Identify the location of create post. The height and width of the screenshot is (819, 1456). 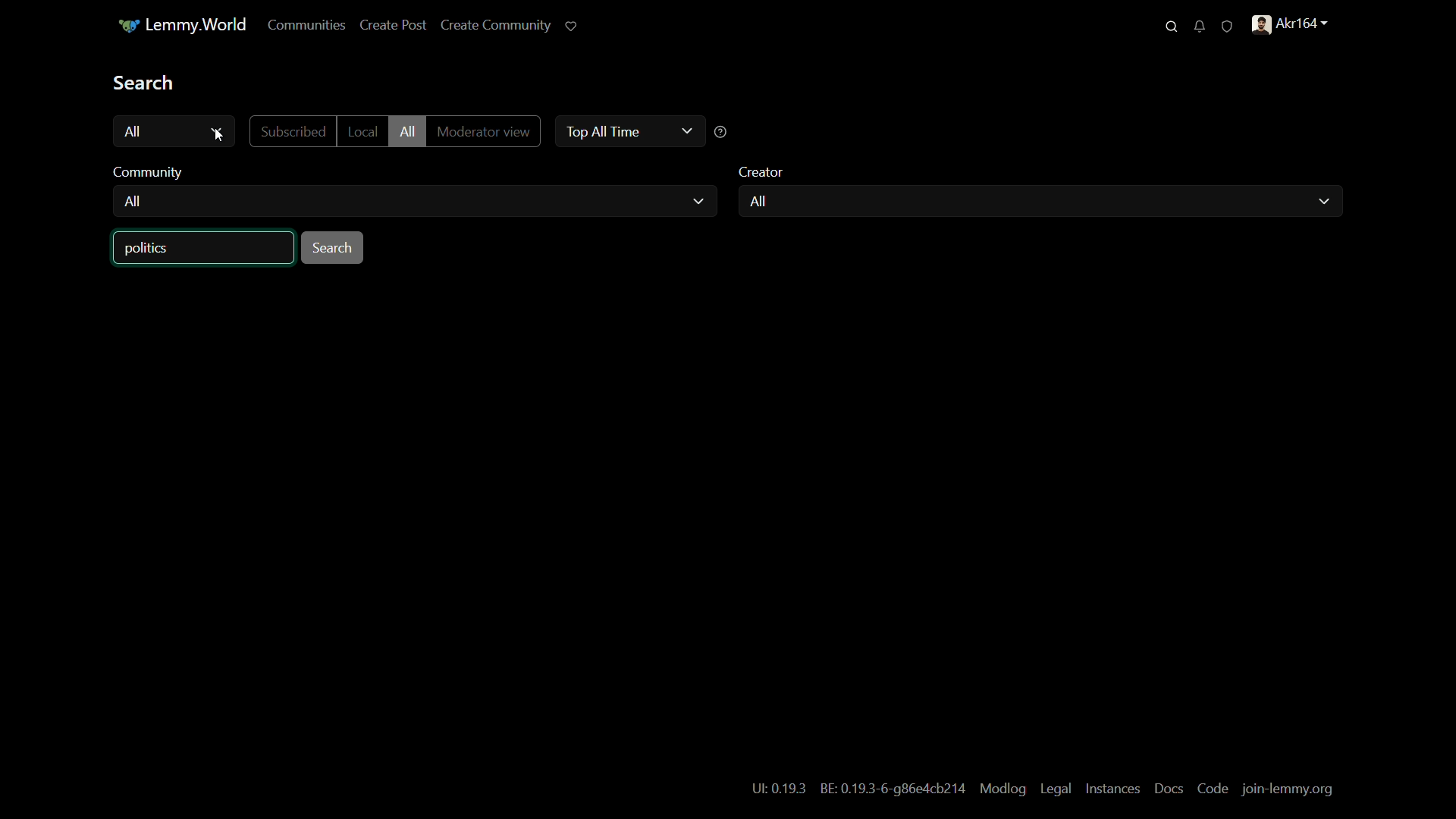
(394, 26).